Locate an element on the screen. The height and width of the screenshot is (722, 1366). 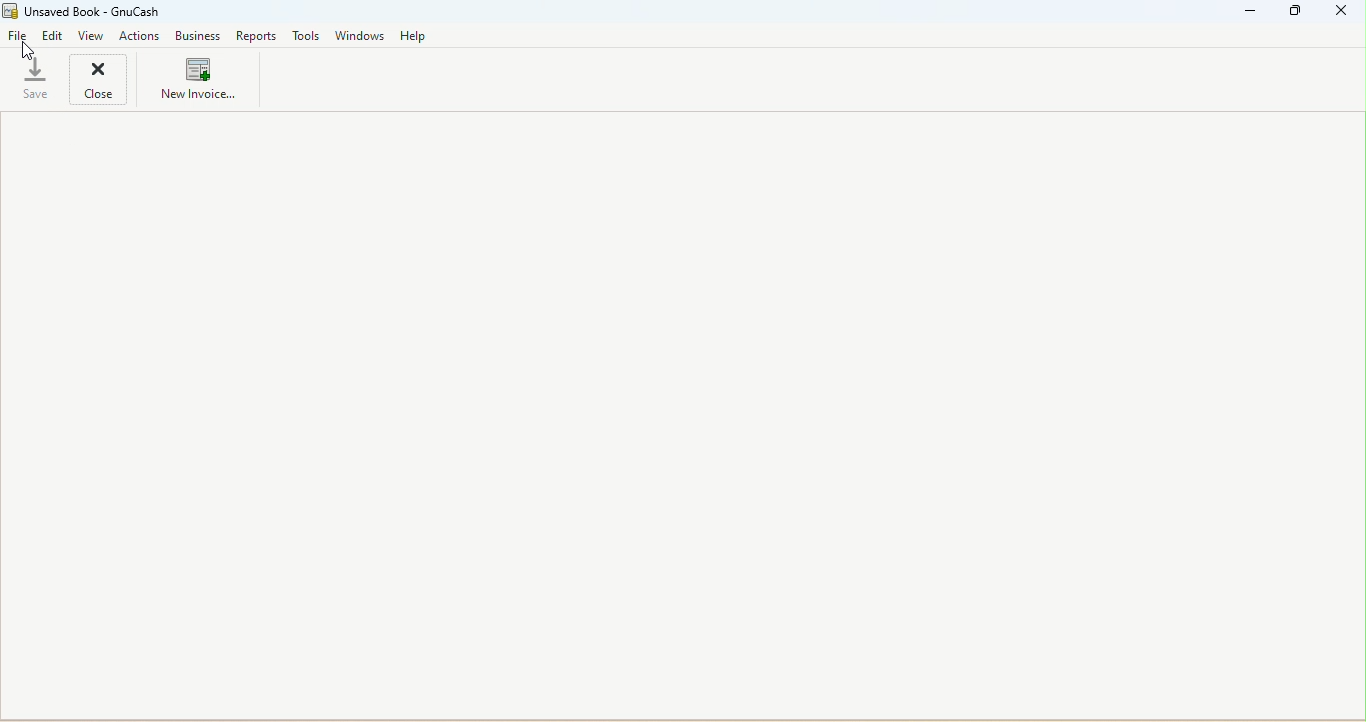
Actions is located at coordinates (141, 36).